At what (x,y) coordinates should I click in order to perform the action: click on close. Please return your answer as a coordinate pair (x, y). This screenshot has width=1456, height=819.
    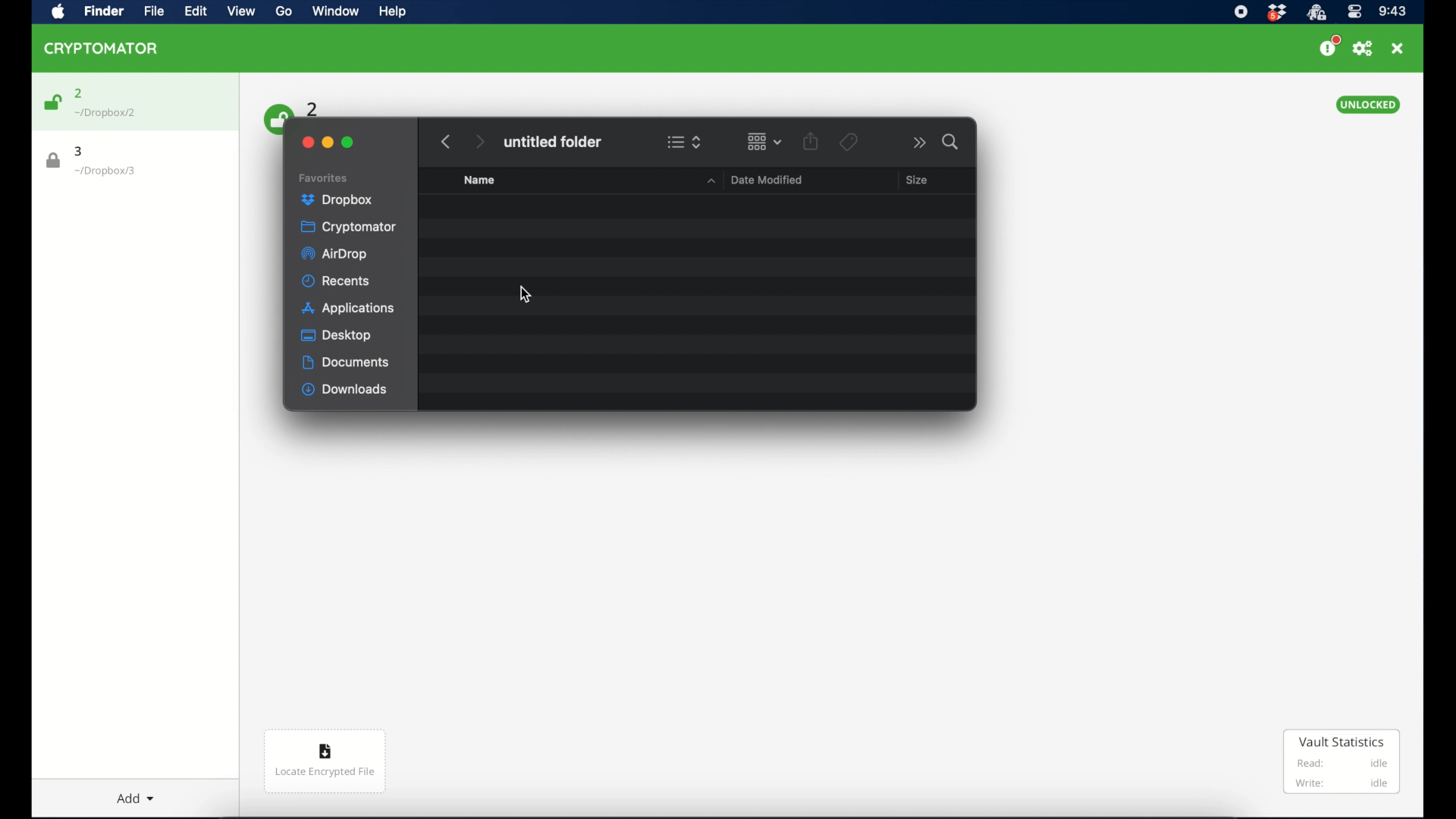
    Looking at the image, I should click on (306, 143).